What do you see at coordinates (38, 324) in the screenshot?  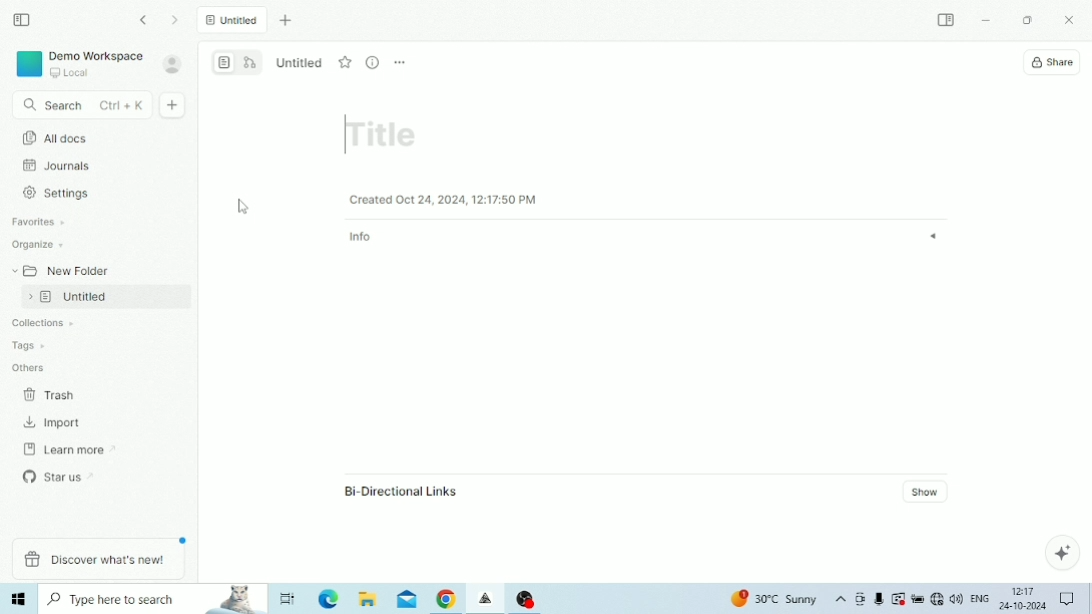 I see `Collections` at bounding box center [38, 324].